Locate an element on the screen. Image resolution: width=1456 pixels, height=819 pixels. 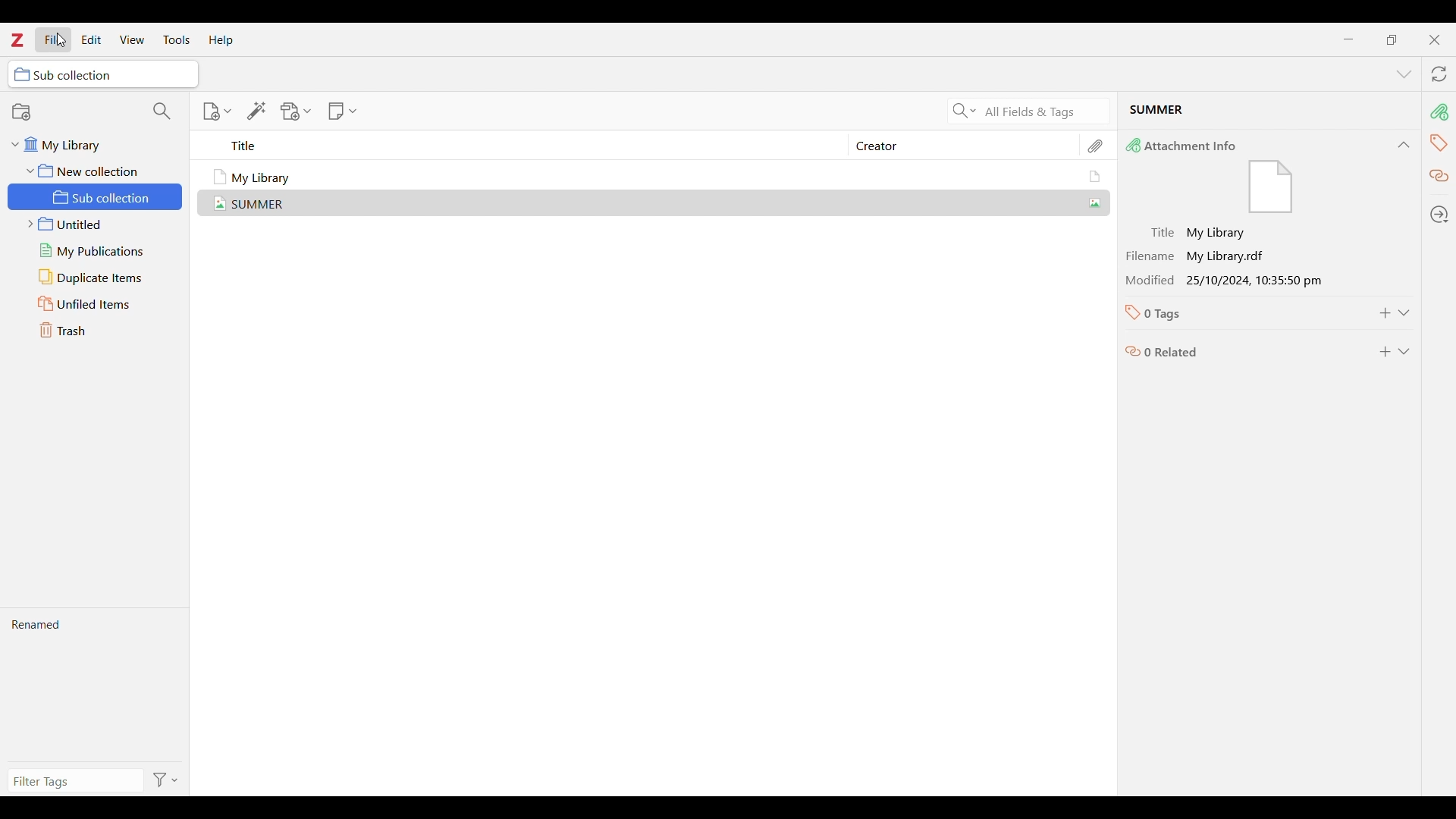
0 Tags is located at coordinates (1238, 313).